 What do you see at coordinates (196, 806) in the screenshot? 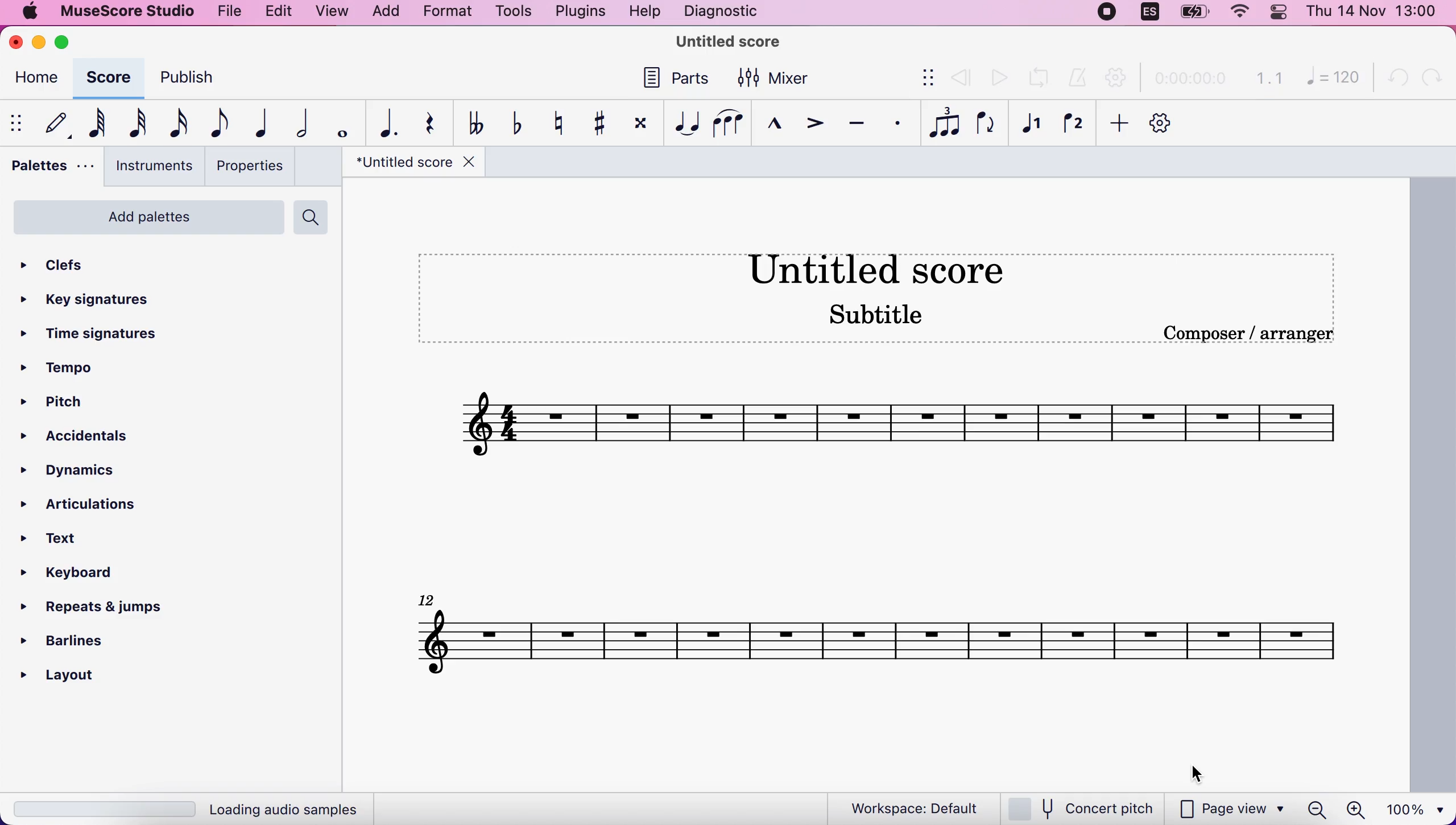
I see `loading audio samples` at bounding box center [196, 806].